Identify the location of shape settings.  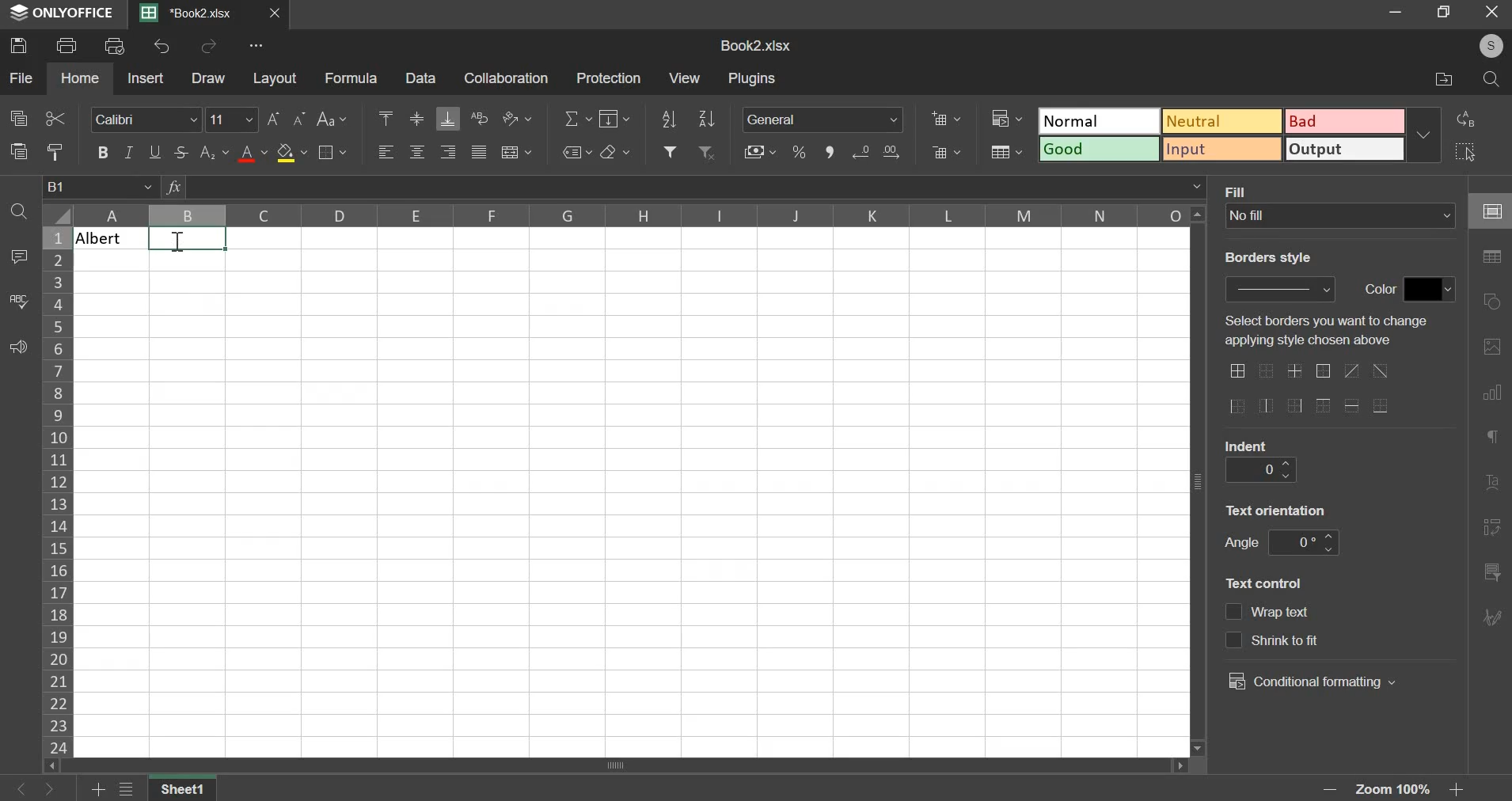
(1493, 297).